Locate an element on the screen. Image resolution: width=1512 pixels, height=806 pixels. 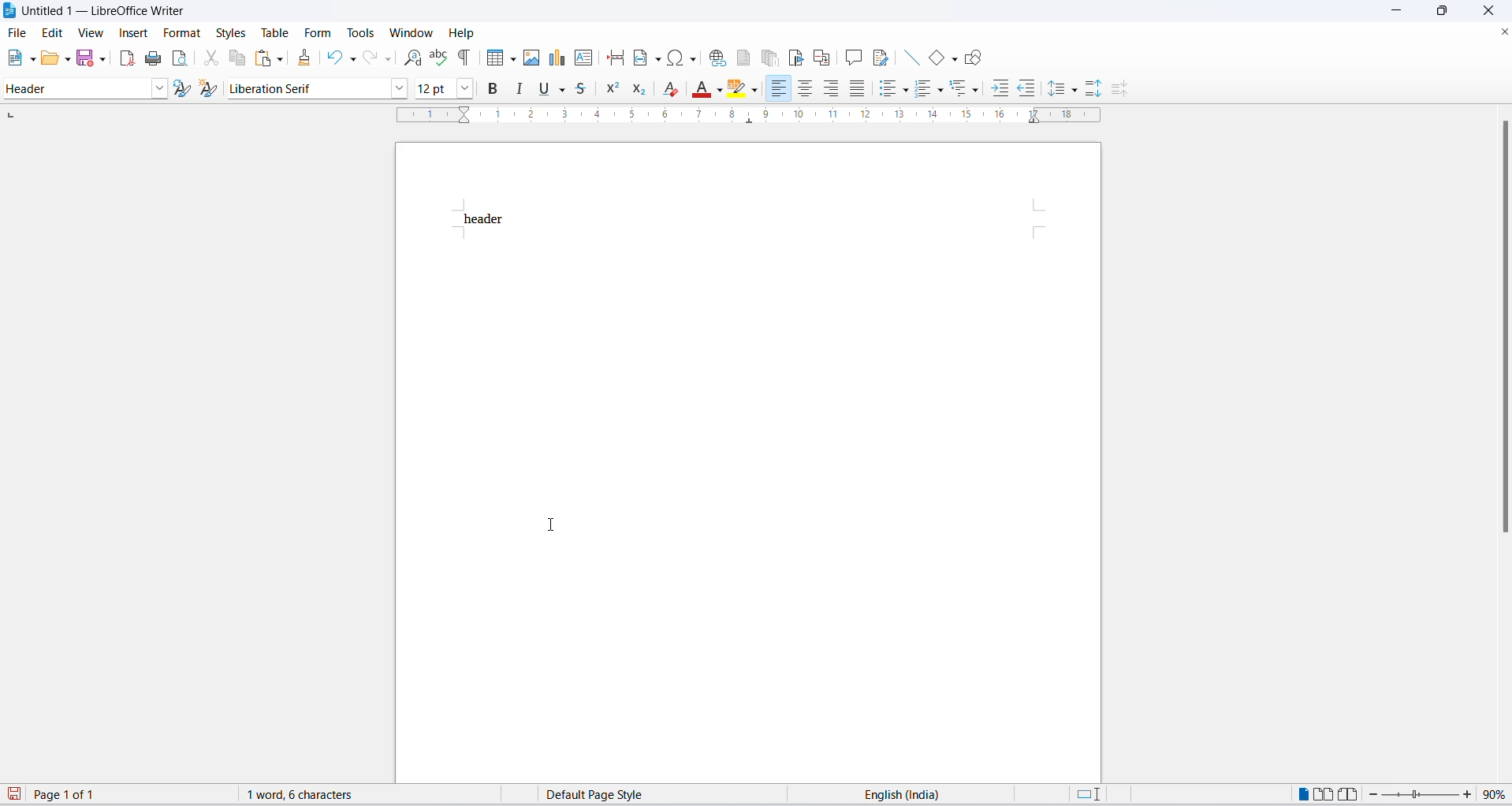
update selected style is located at coordinates (181, 88).